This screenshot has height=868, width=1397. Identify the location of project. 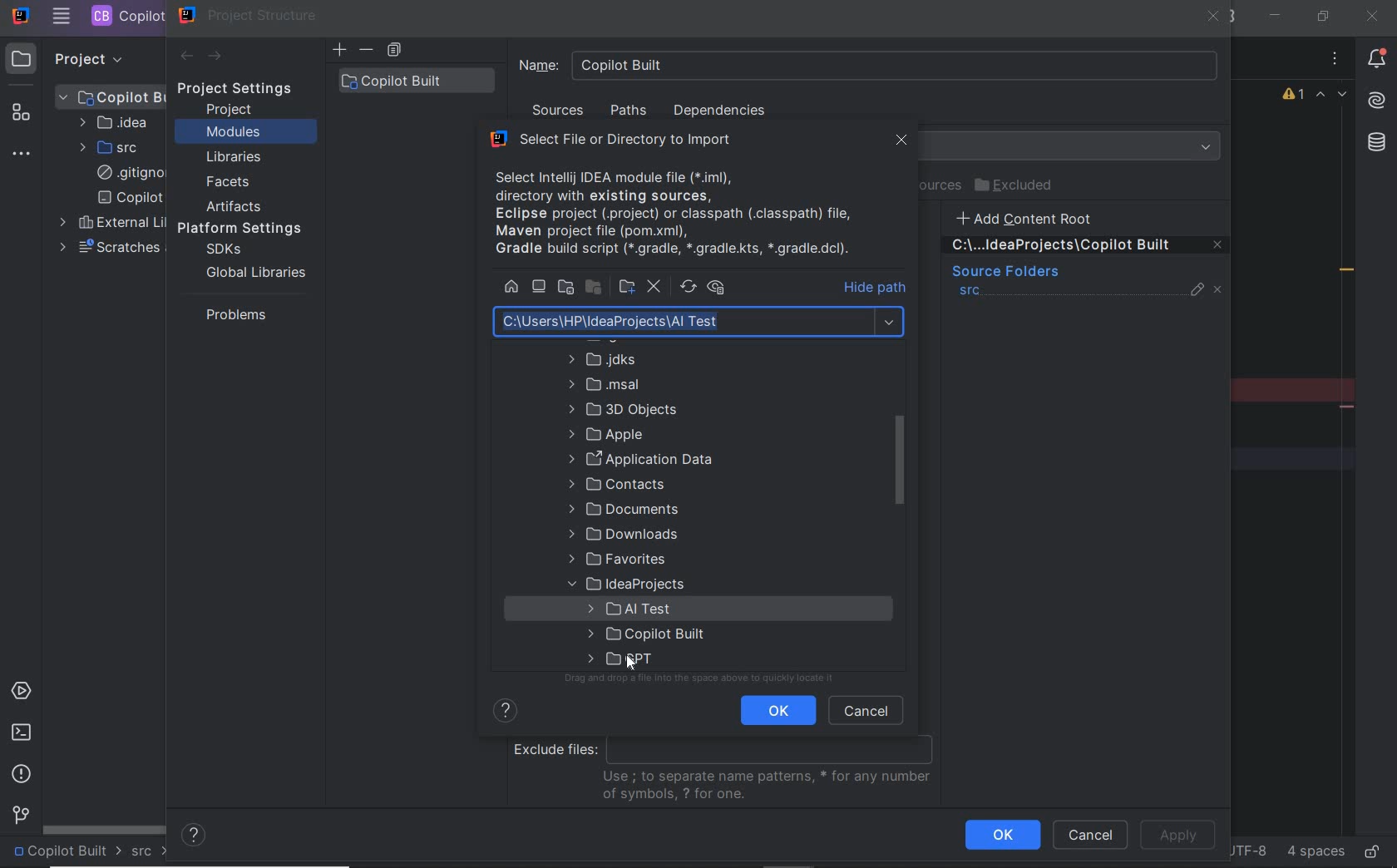
(230, 110).